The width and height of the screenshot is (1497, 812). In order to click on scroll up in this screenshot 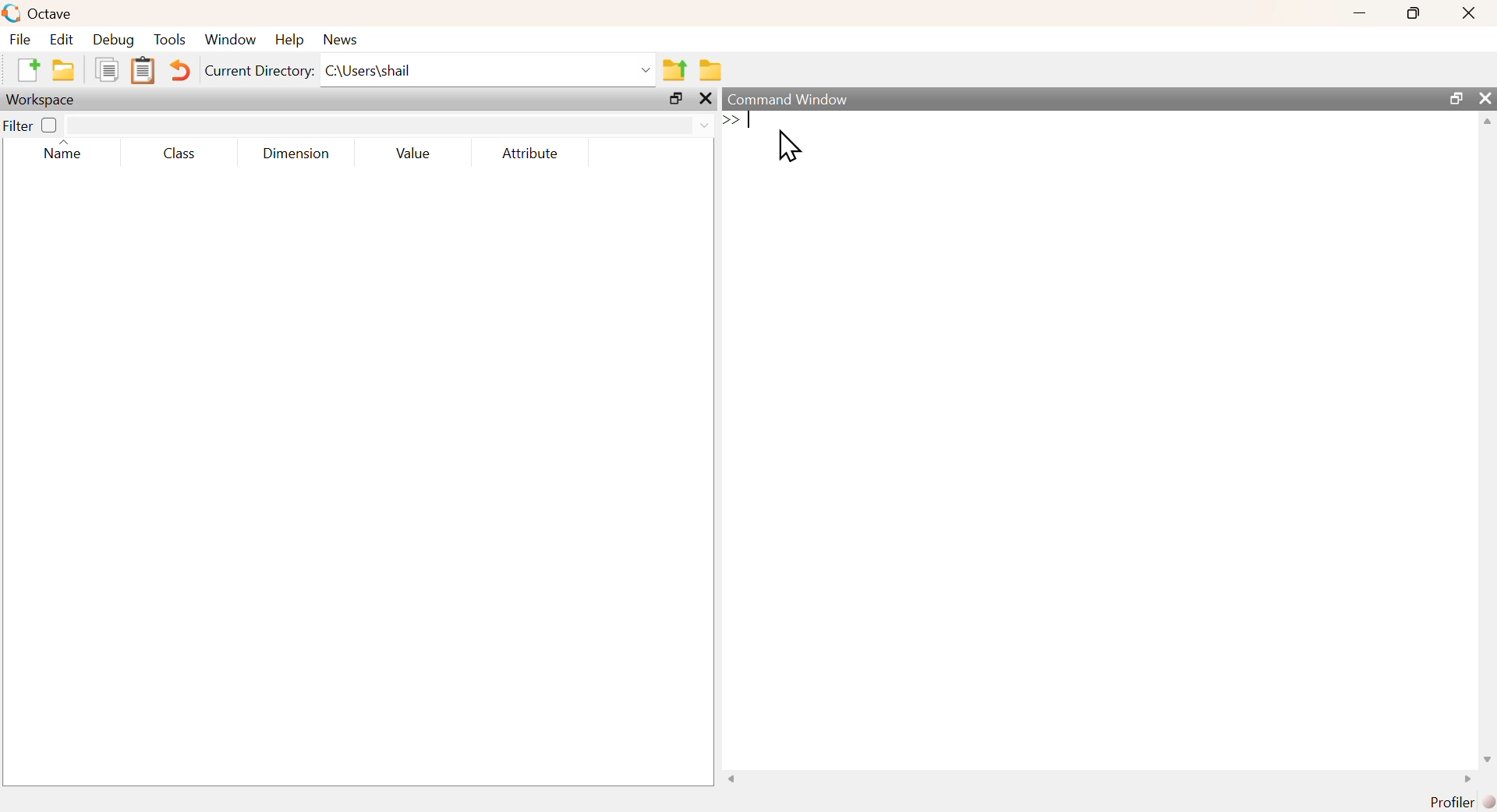, I will do `click(1487, 121)`.